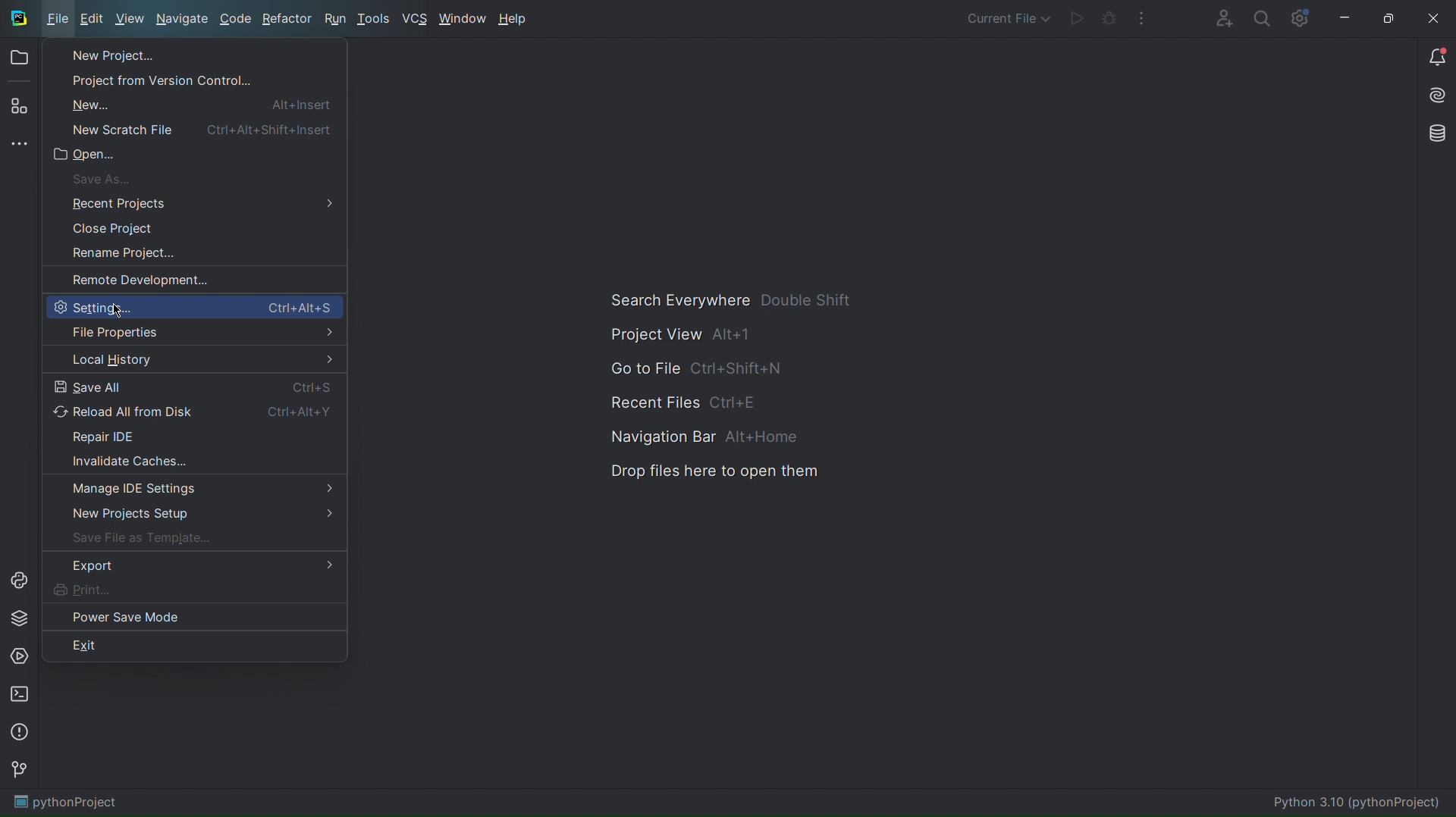 The height and width of the screenshot is (817, 1456). Describe the element at coordinates (193, 412) in the screenshot. I see `Reload All from Disk` at that location.